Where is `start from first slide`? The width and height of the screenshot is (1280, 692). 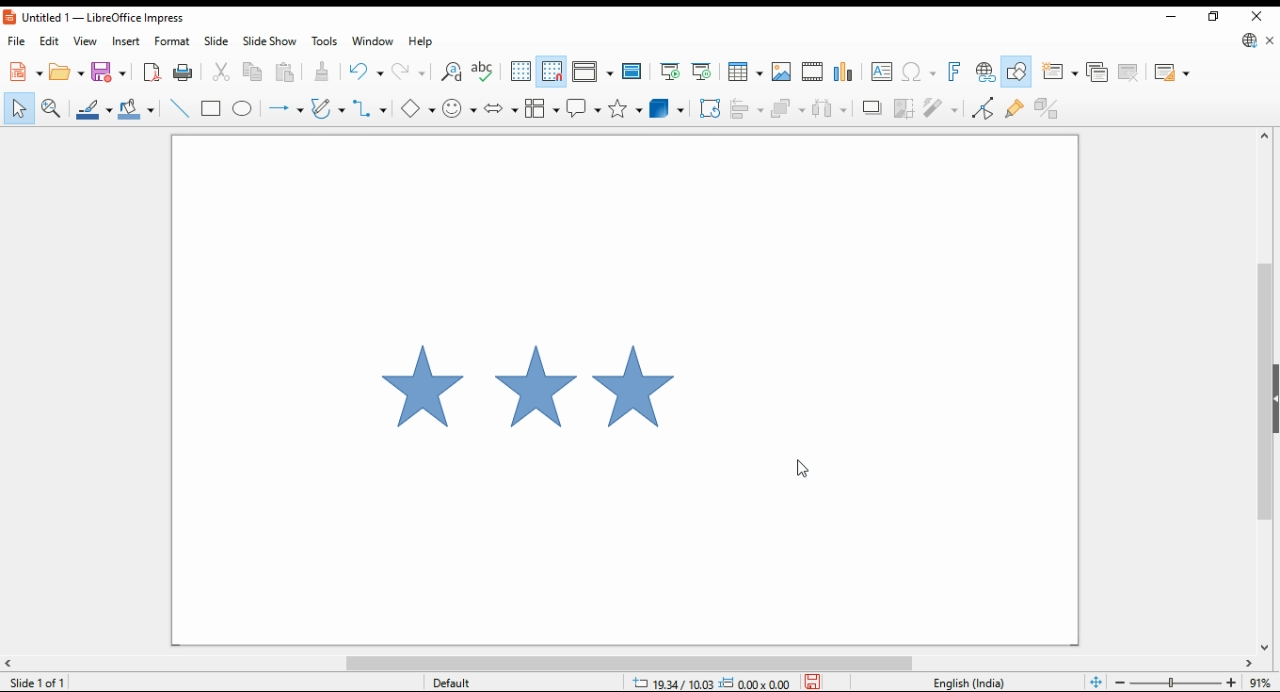
start from first slide is located at coordinates (669, 72).